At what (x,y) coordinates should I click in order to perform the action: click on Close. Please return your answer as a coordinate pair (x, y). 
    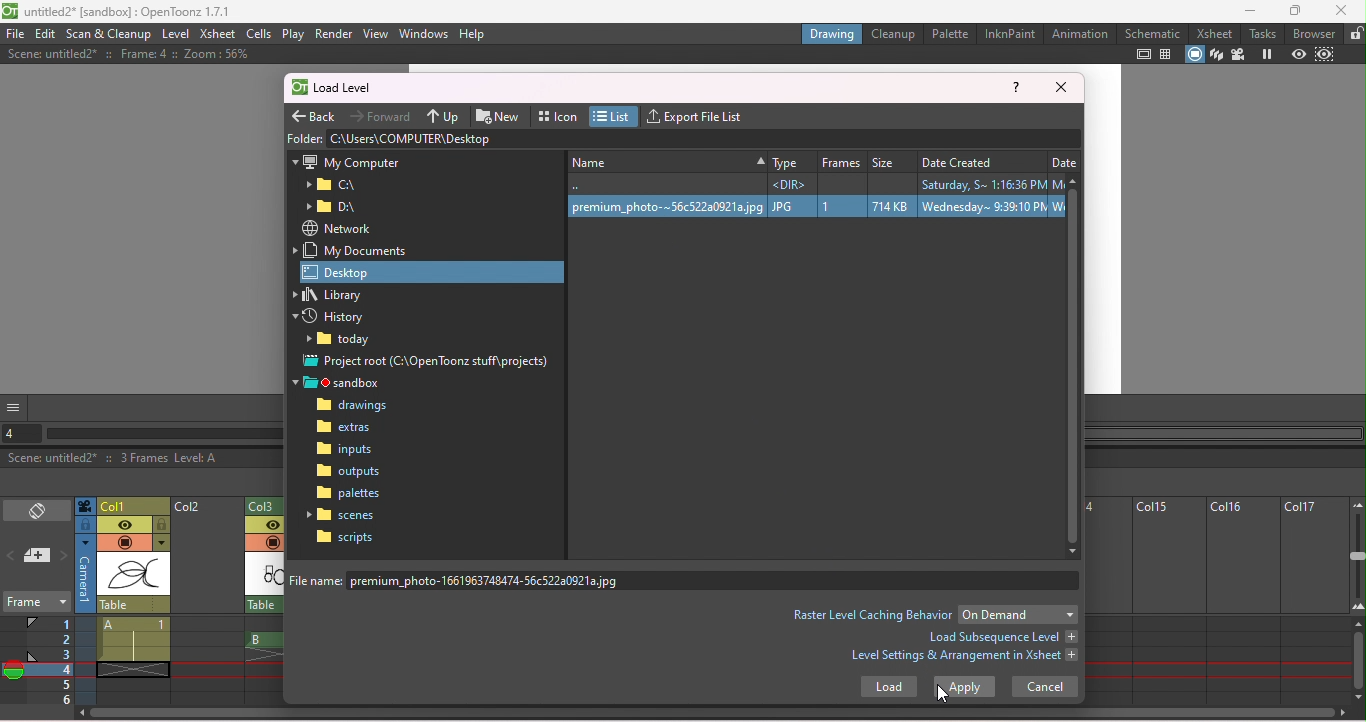
    Looking at the image, I should click on (1061, 88).